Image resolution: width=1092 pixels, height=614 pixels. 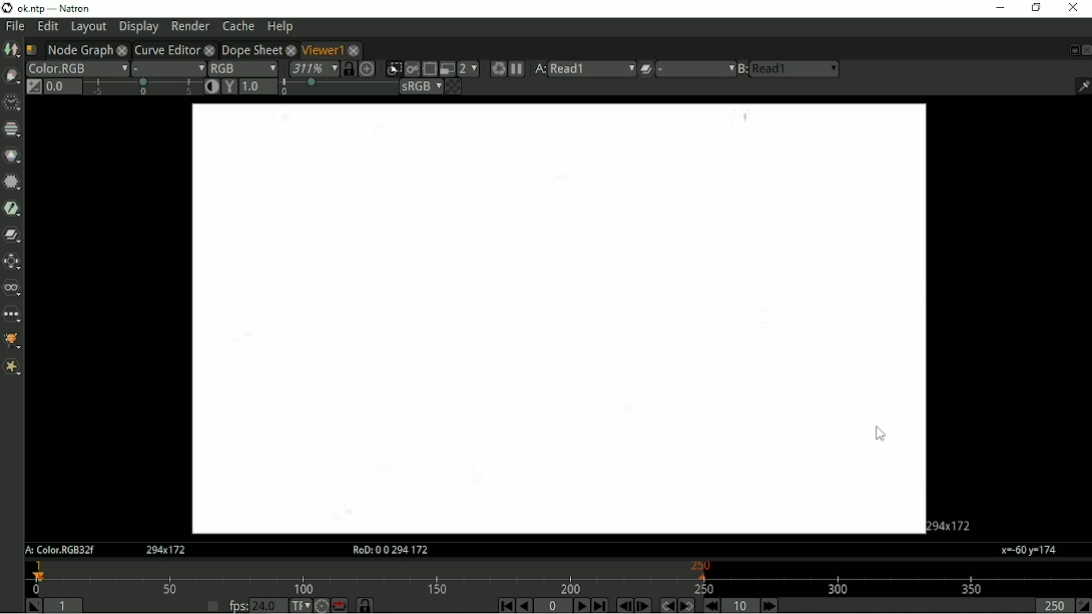 What do you see at coordinates (243, 68) in the screenshot?
I see `Display channels` at bounding box center [243, 68].